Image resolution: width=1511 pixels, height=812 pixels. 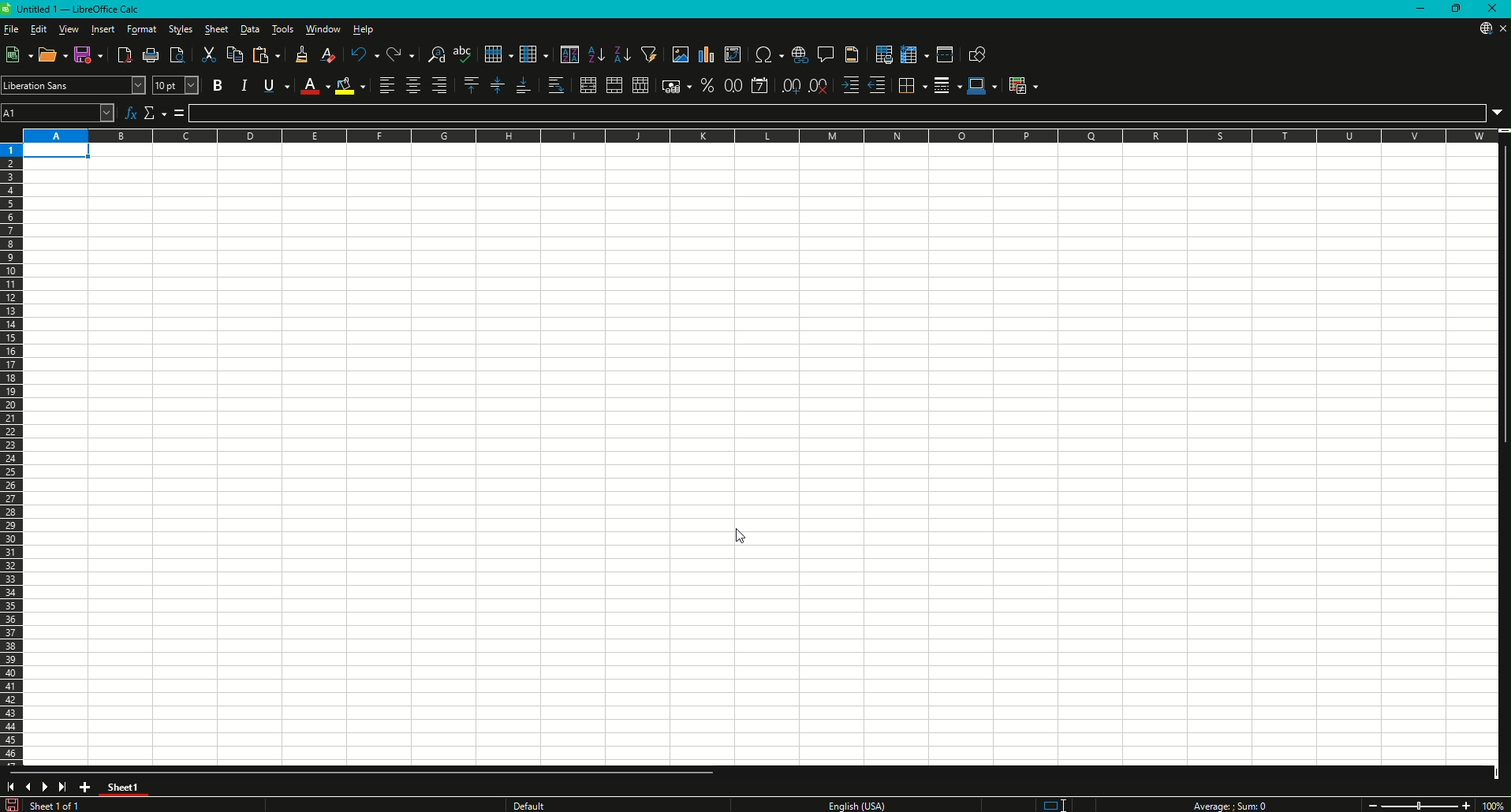 What do you see at coordinates (1054, 805) in the screenshot?
I see `Standard selection` at bounding box center [1054, 805].